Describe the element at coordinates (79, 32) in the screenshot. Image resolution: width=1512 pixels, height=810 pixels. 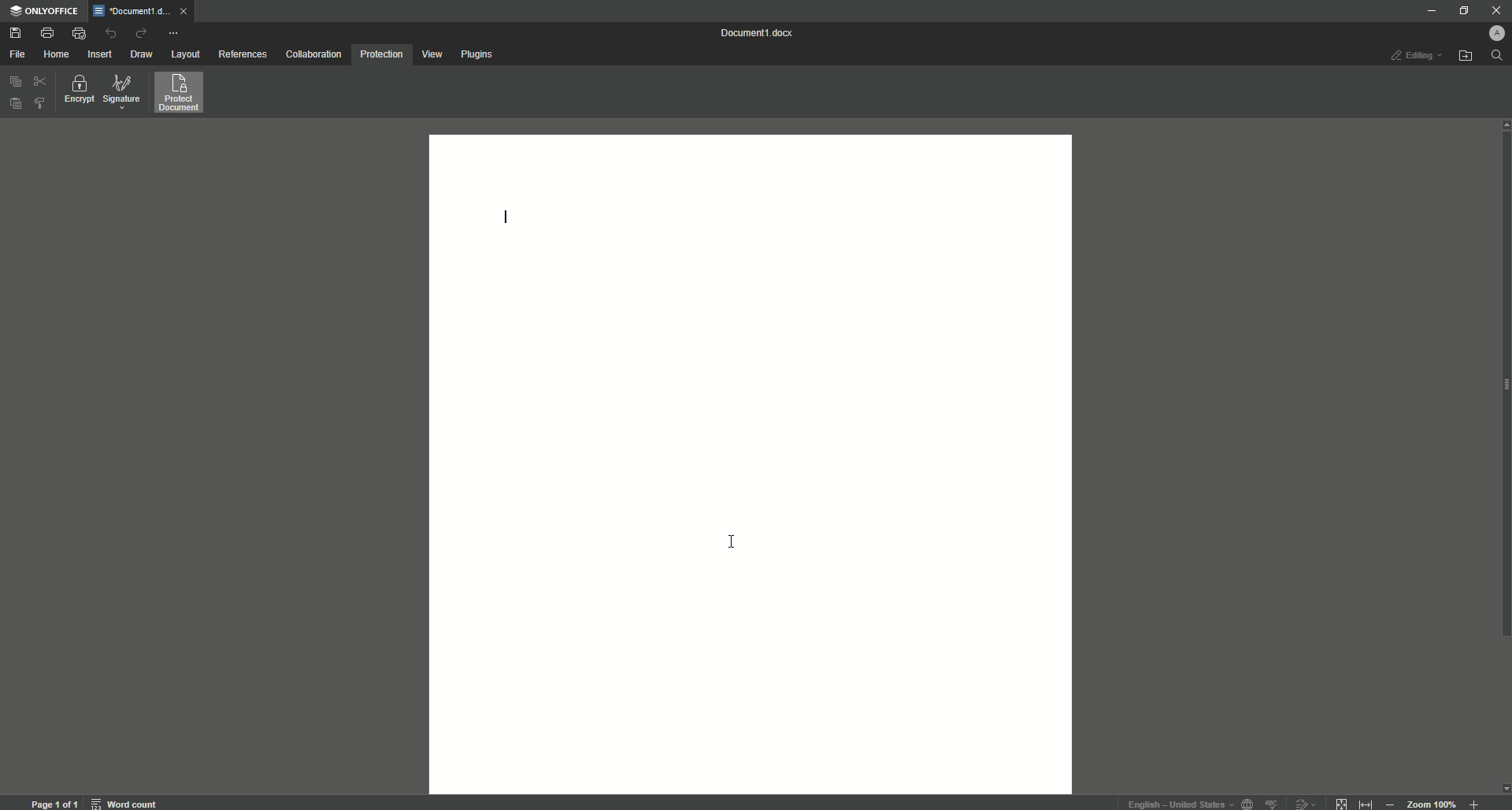
I see `Quick Print` at that location.